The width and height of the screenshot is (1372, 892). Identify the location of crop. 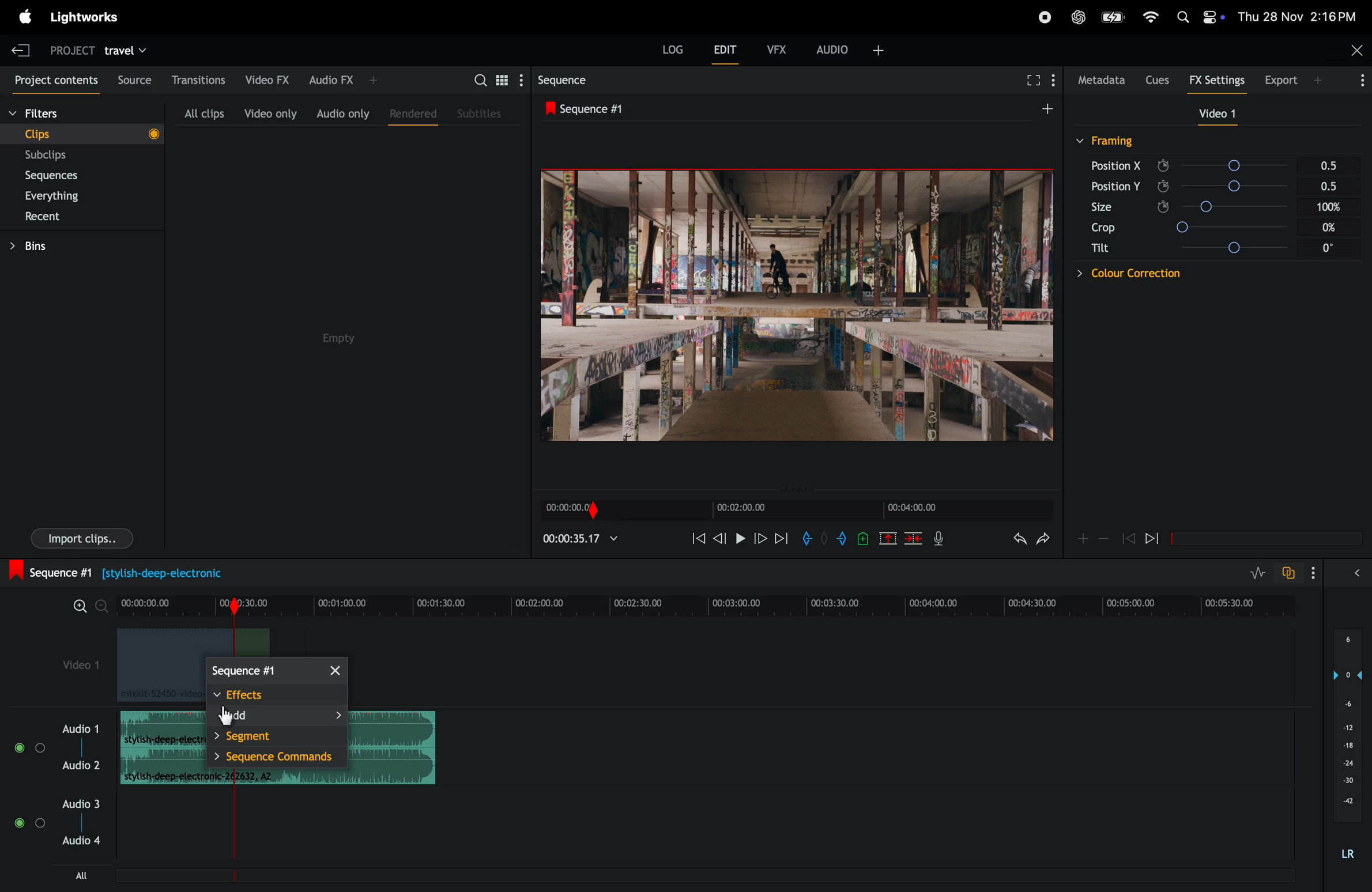
(1101, 229).